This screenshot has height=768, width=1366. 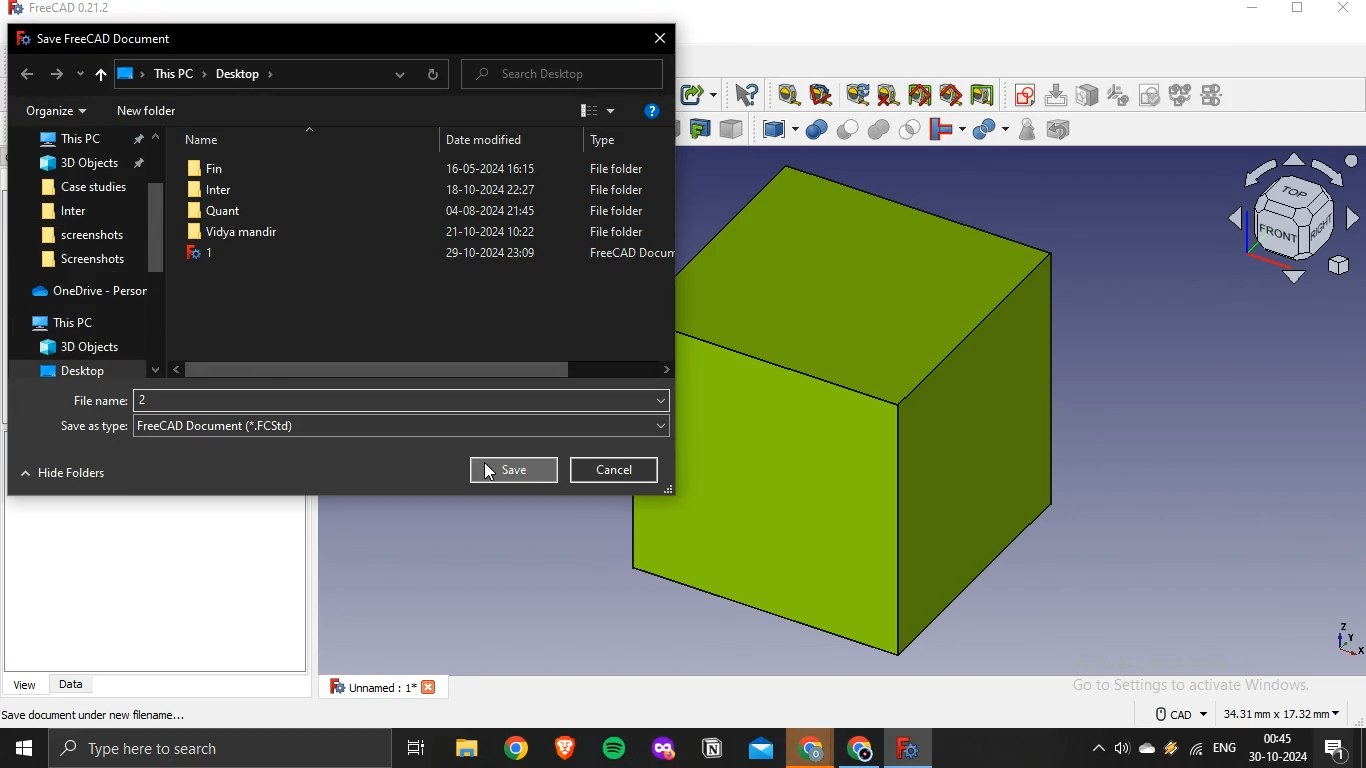 I want to click on 3d objects, so click(x=82, y=349).